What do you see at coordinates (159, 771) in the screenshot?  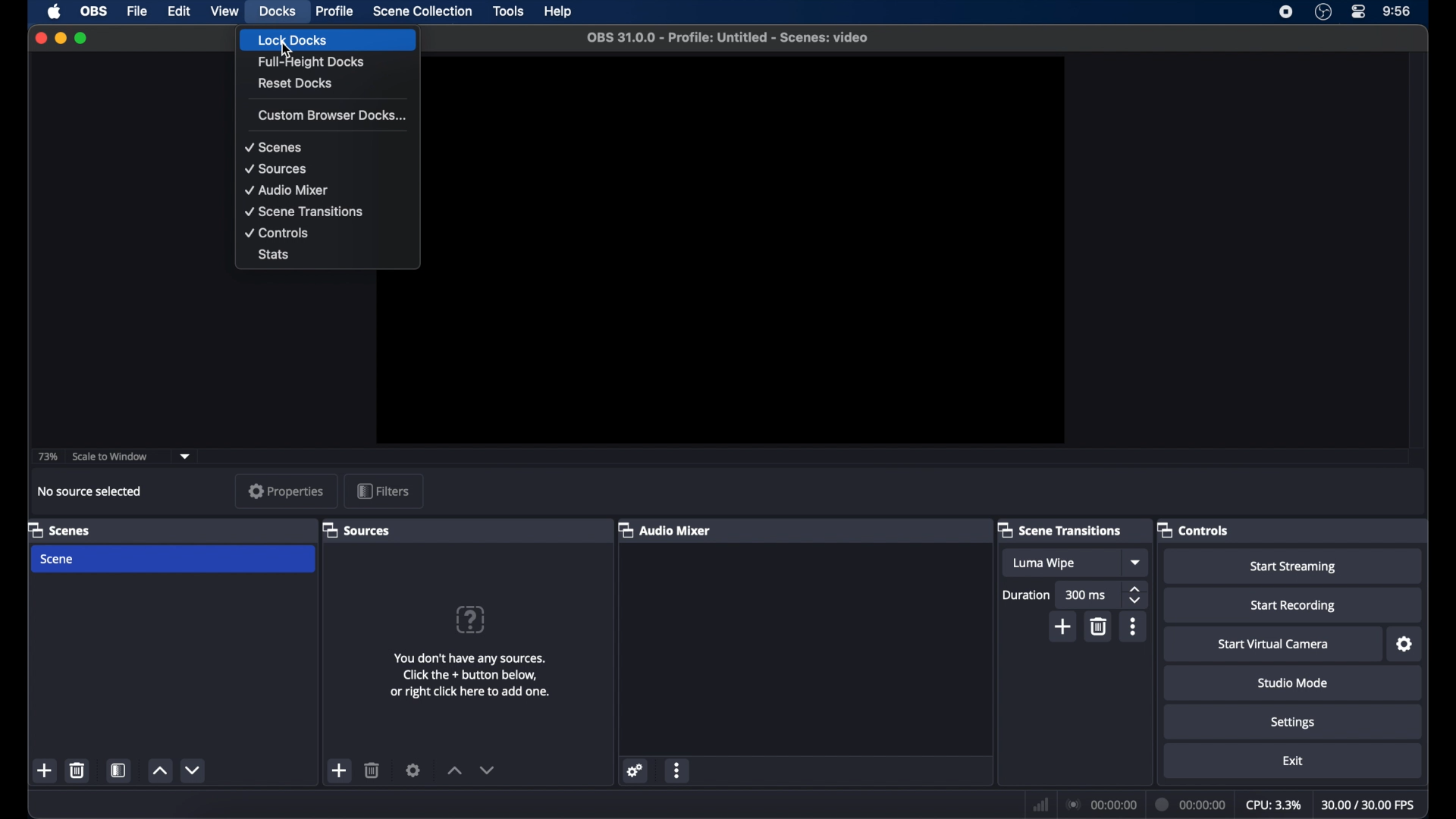 I see `increment` at bounding box center [159, 771].